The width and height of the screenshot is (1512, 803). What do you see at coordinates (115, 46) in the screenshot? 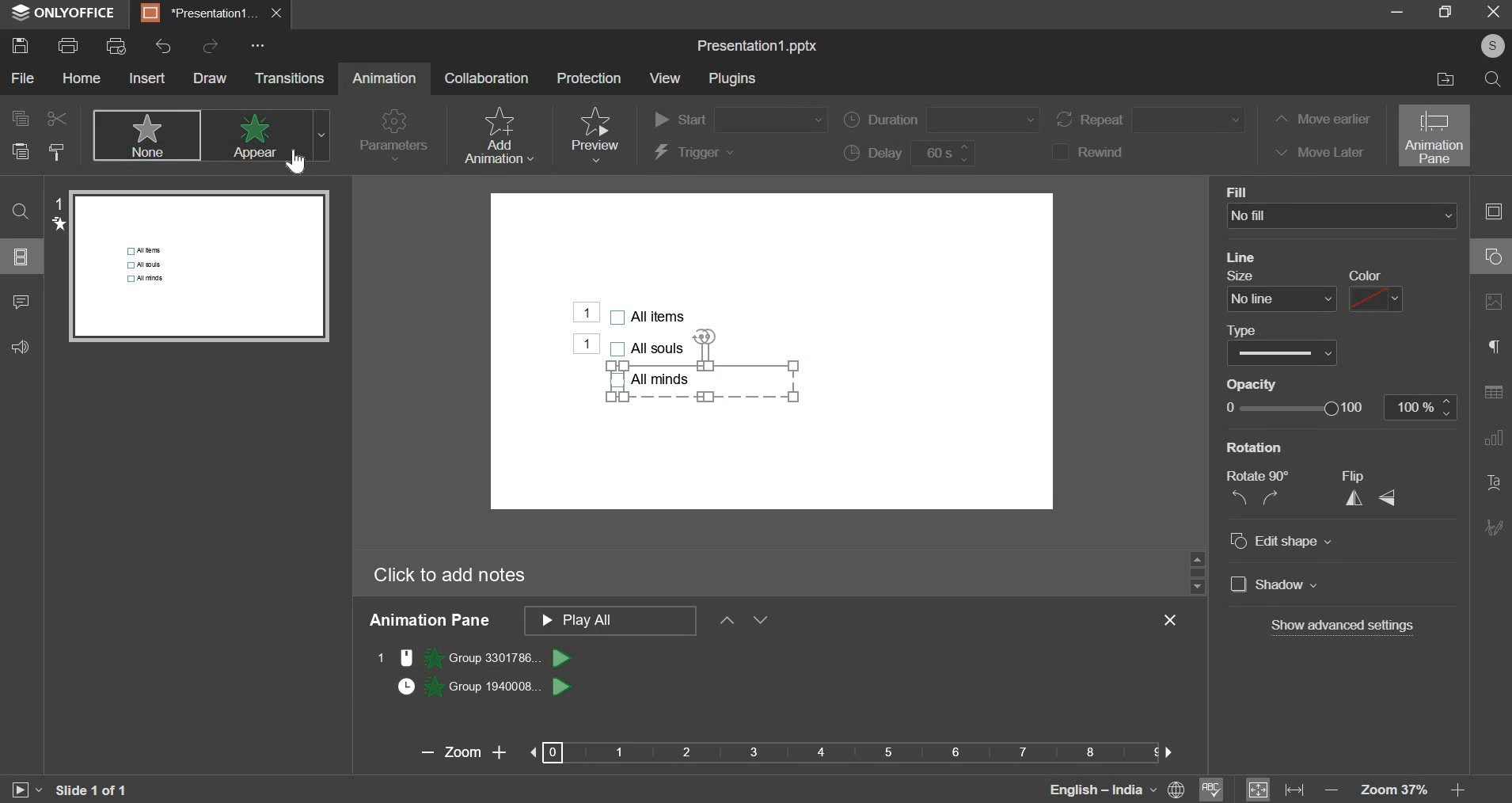
I see `print preview` at bounding box center [115, 46].